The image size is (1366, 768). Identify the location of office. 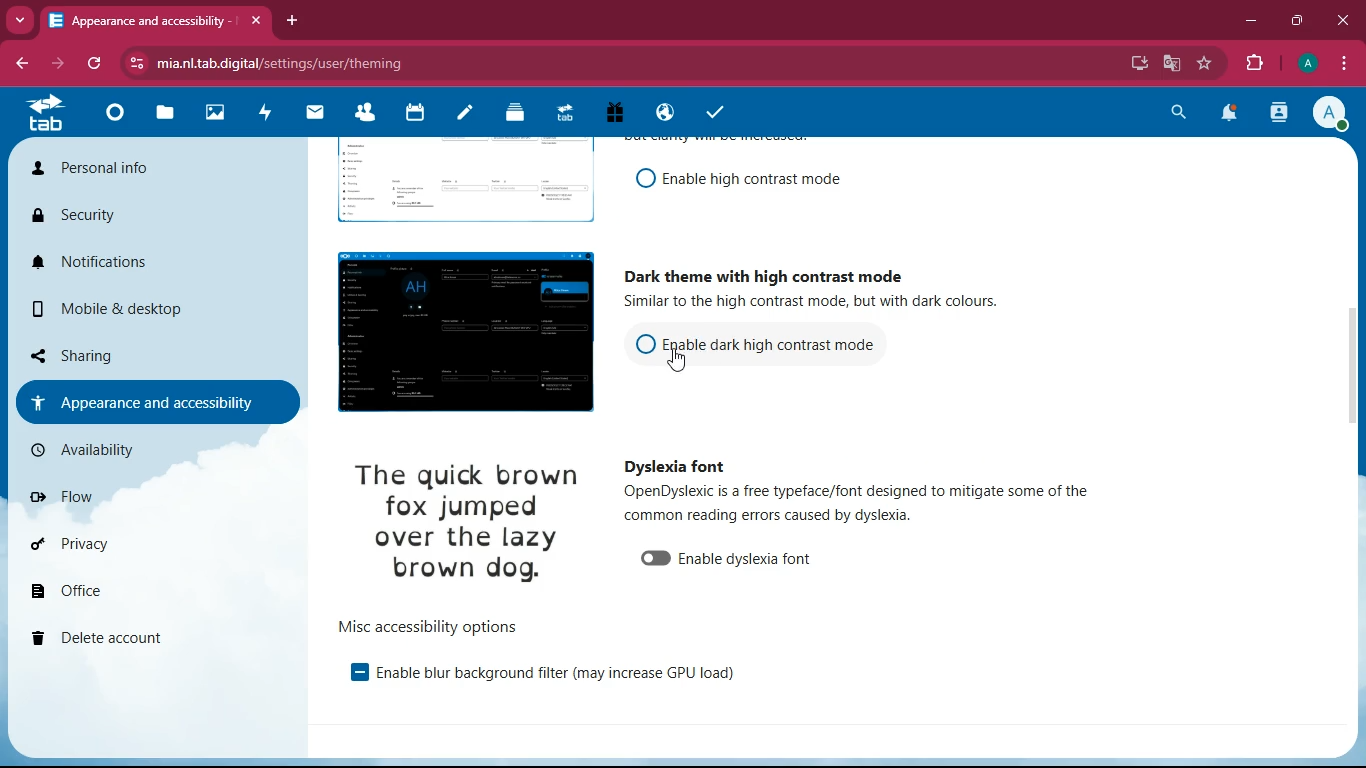
(100, 591).